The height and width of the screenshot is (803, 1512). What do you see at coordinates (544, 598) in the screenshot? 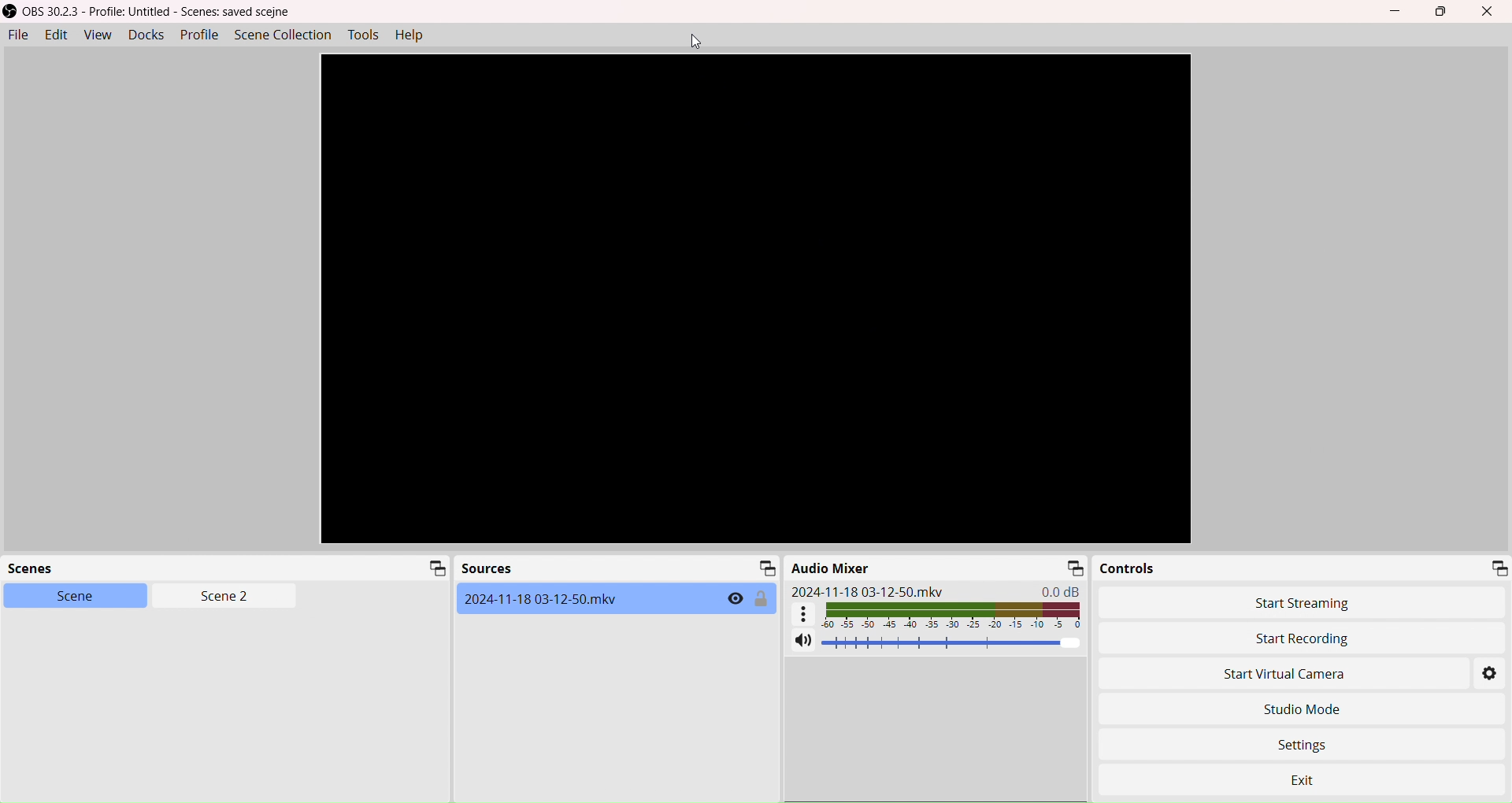
I see `WebCam Source` at bounding box center [544, 598].